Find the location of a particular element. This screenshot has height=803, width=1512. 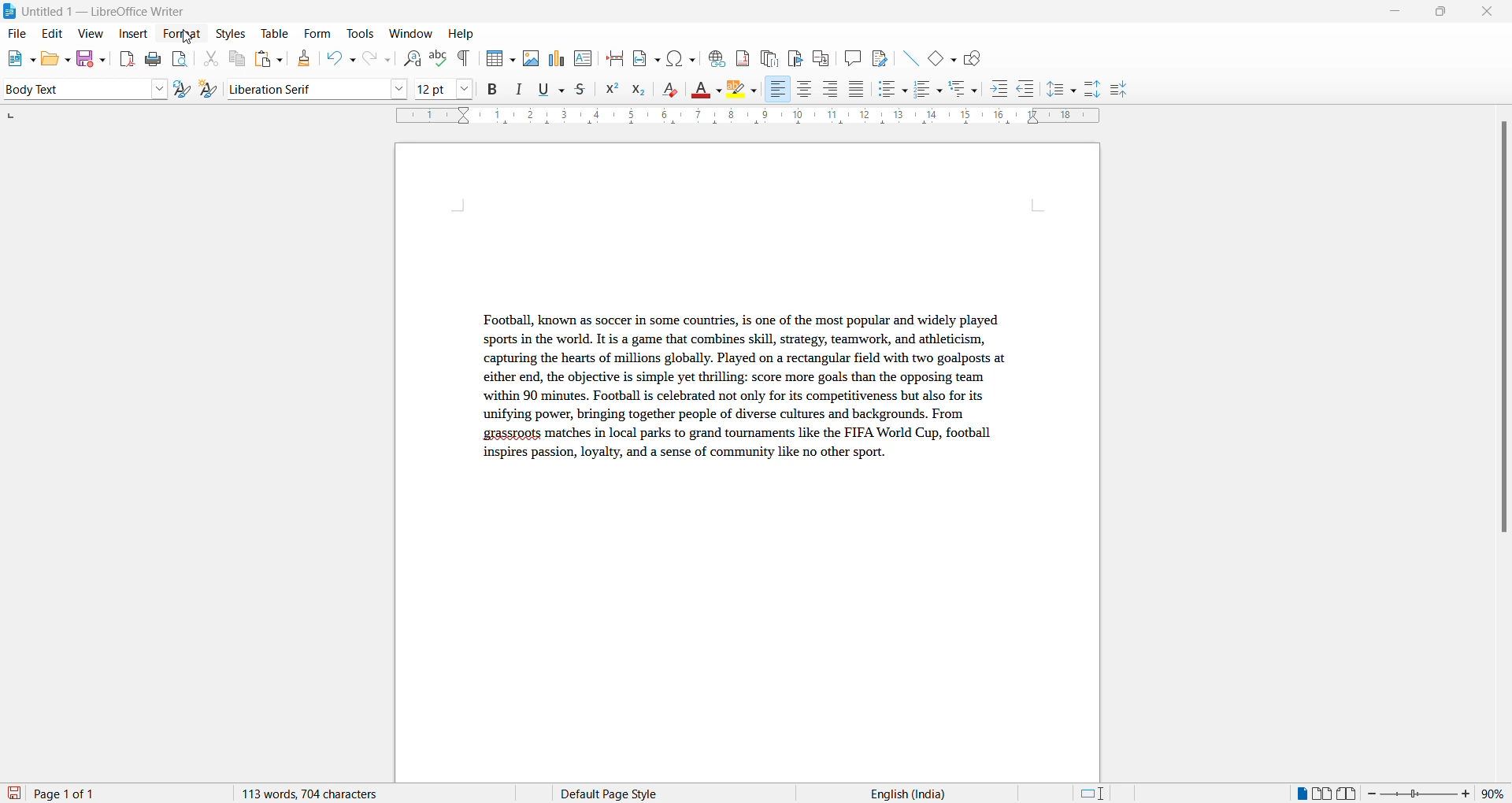

paragraph is located at coordinates (739, 398).